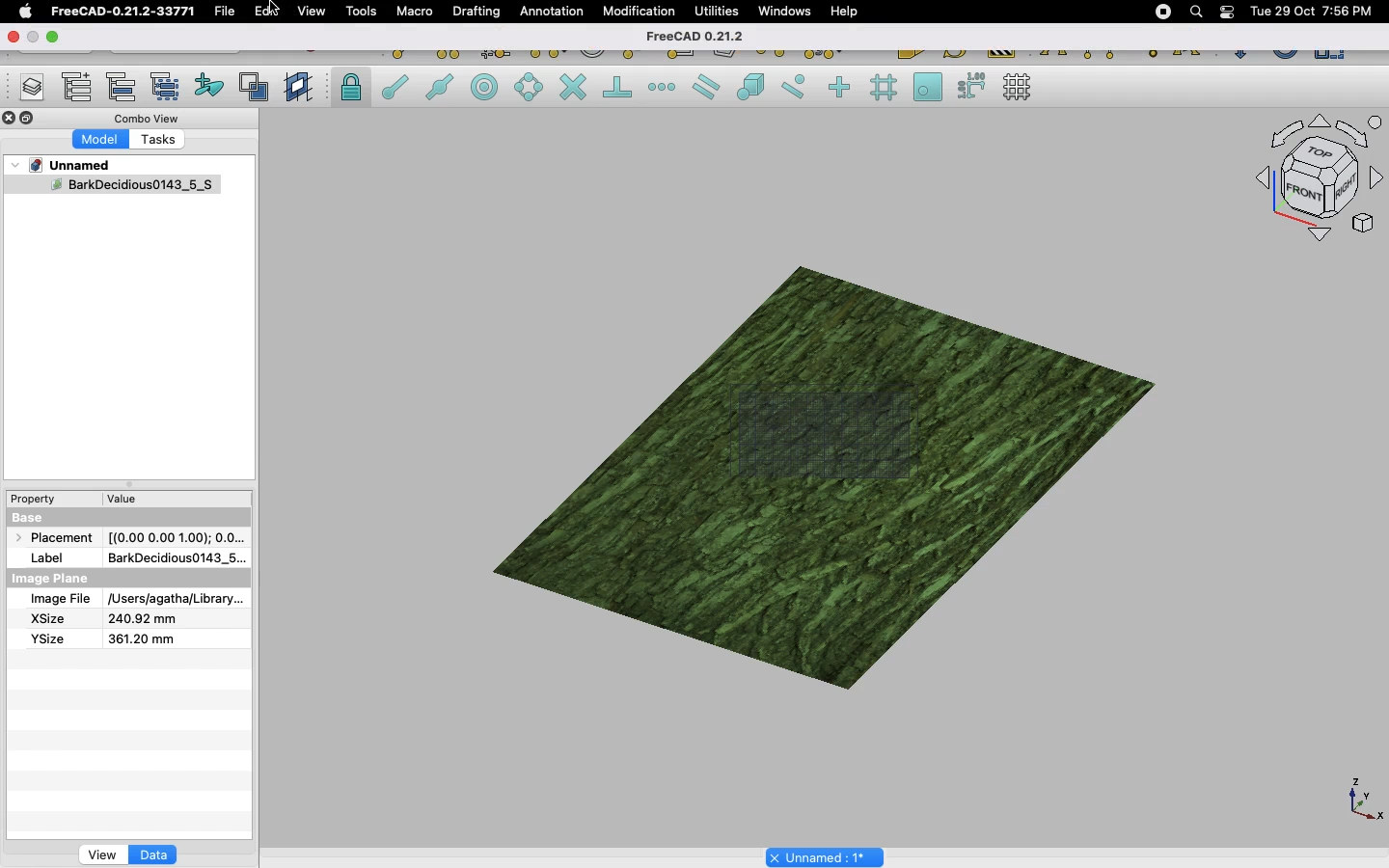 This screenshot has height=868, width=1389. What do you see at coordinates (664, 88) in the screenshot?
I see `Snap extension` at bounding box center [664, 88].